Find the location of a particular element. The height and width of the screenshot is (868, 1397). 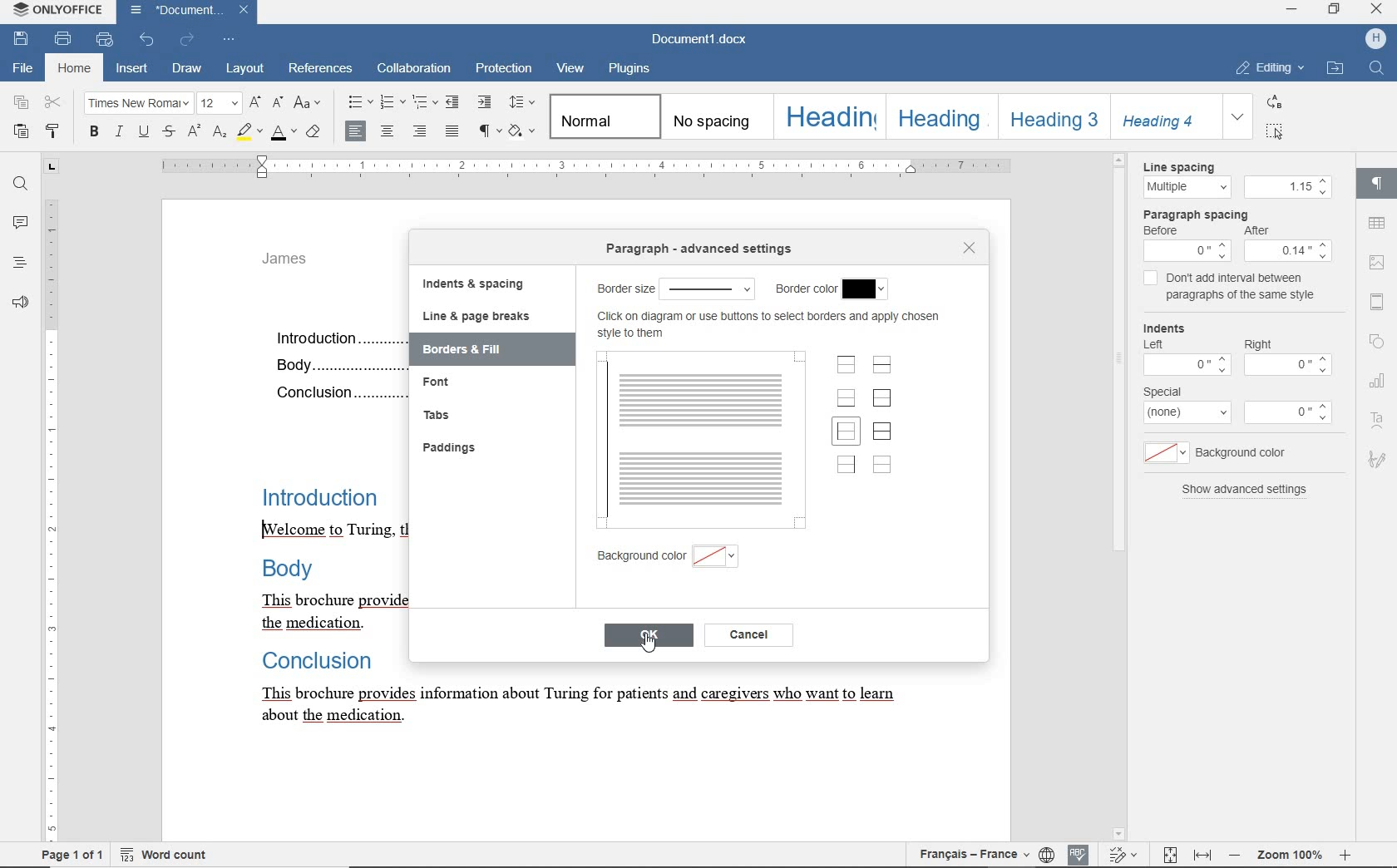

set outer border and all inner lines is located at coordinates (882, 431).